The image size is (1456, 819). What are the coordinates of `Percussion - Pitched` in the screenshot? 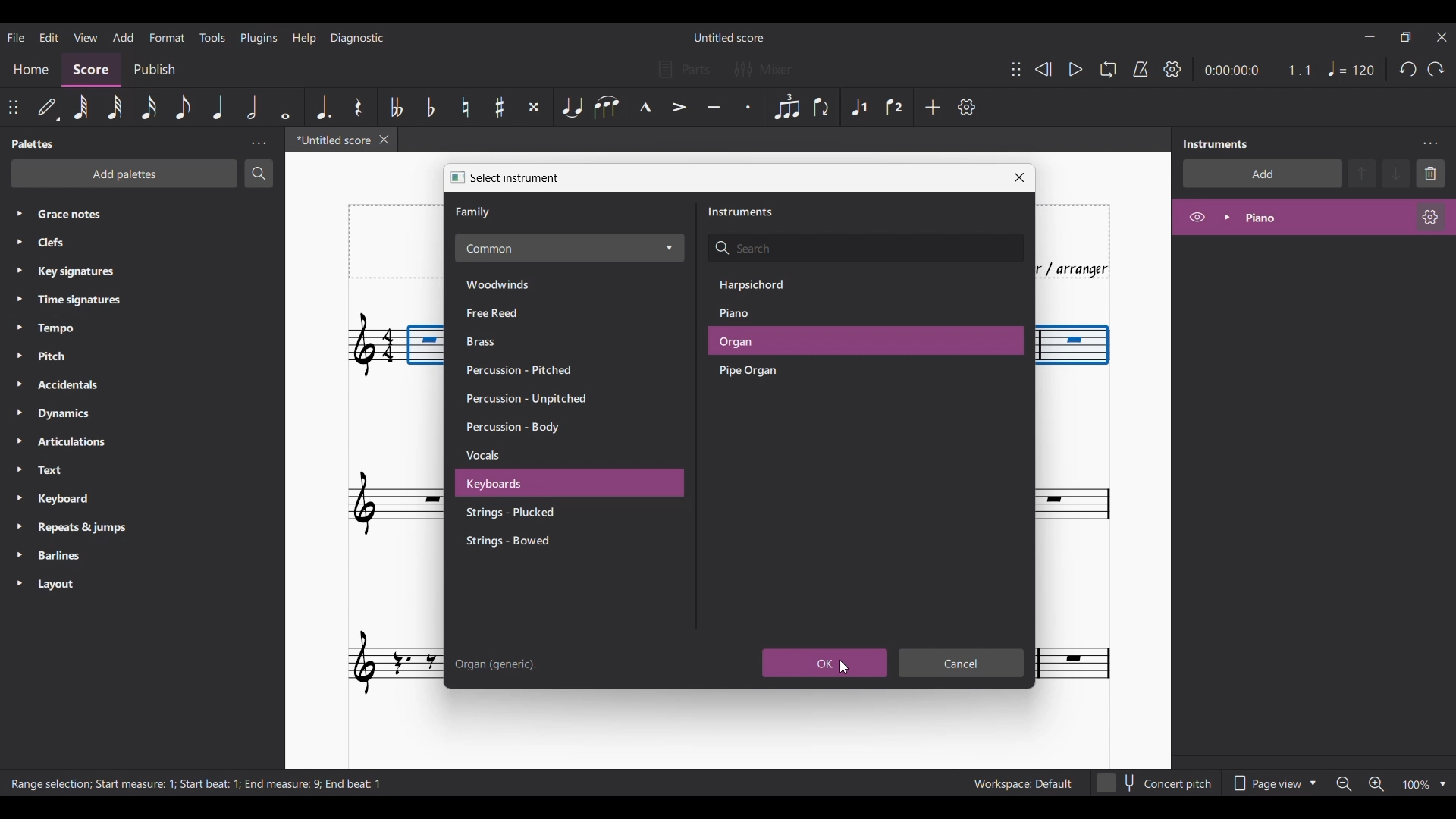 It's located at (523, 369).